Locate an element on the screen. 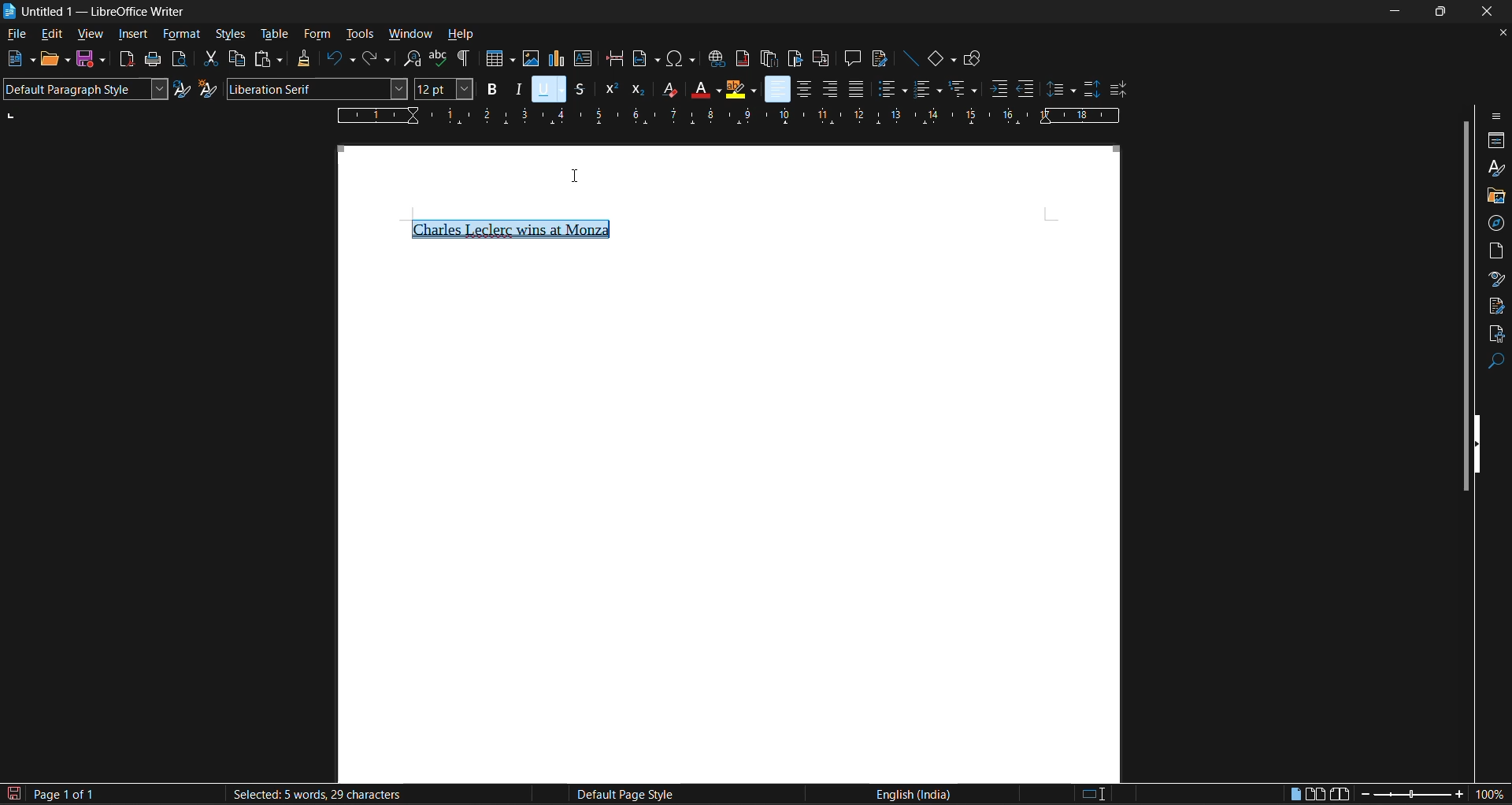 The height and width of the screenshot is (805, 1512). insert bookmark is located at coordinates (792, 59).